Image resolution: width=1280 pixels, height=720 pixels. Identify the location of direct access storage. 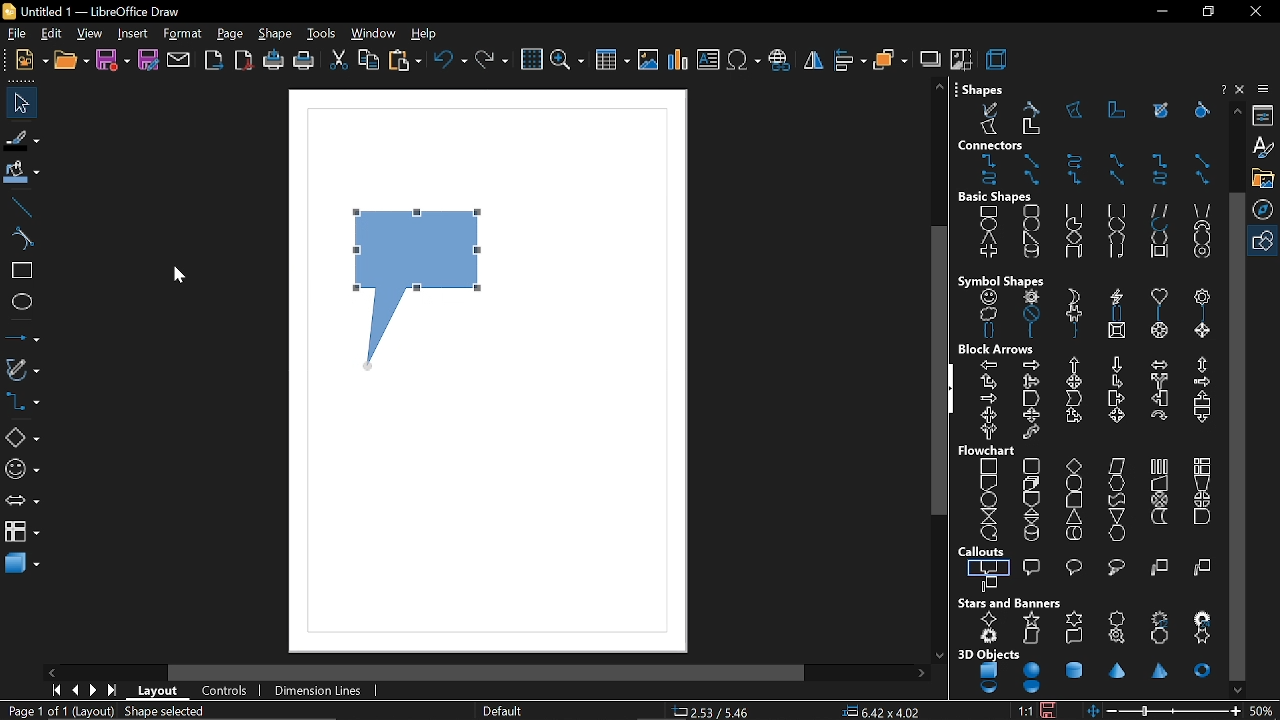
(1073, 534).